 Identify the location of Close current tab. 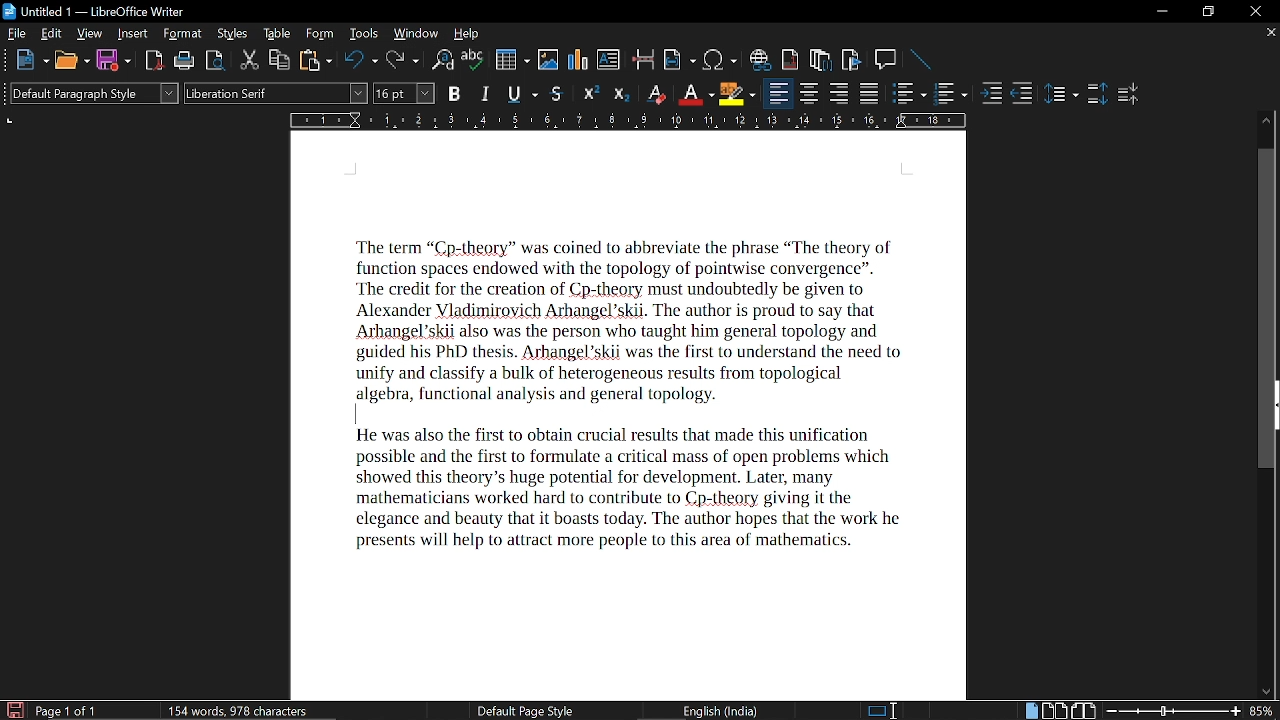
(1268, 35).